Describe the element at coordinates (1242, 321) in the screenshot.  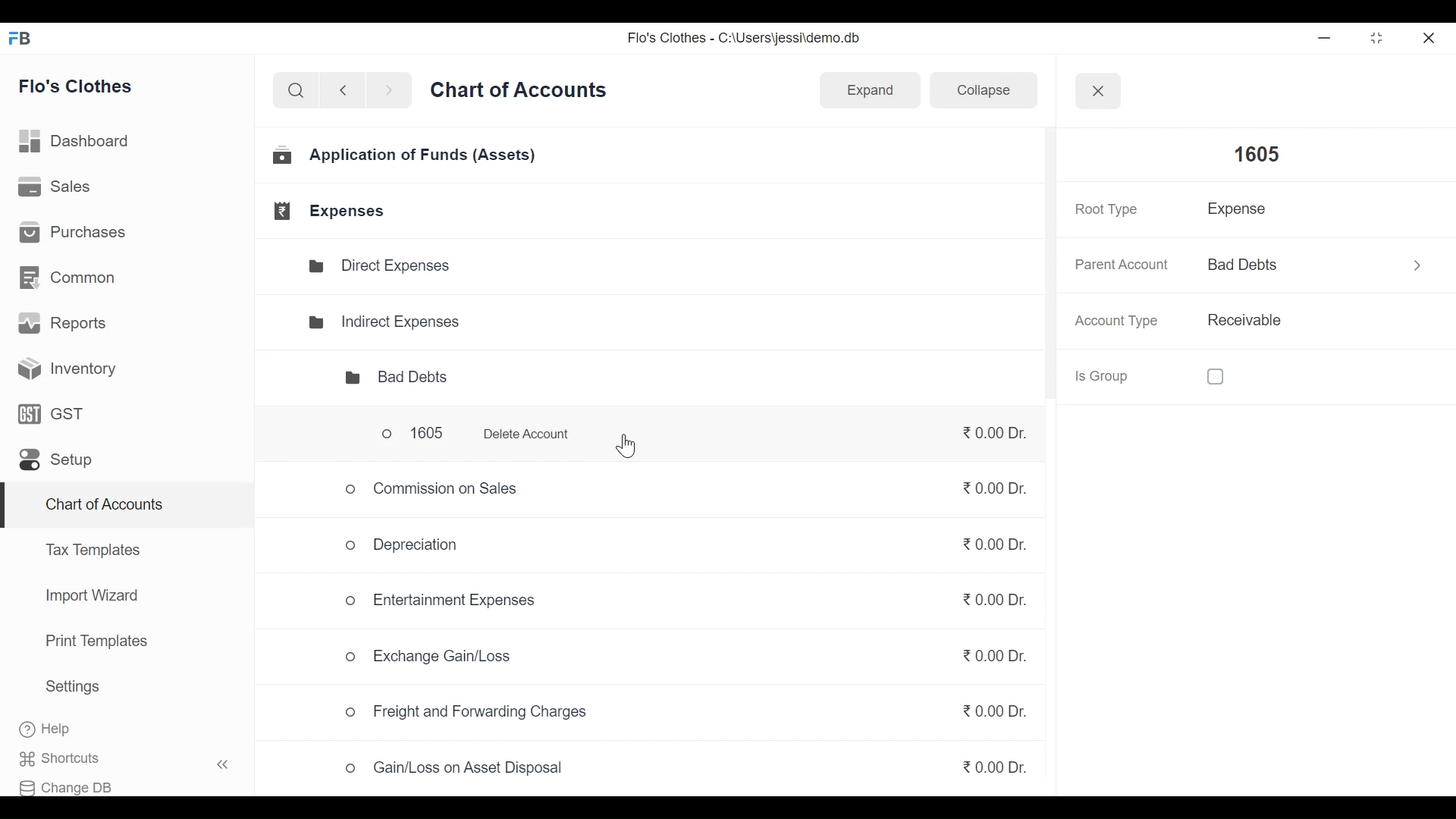
I see `Receivable` at that location.